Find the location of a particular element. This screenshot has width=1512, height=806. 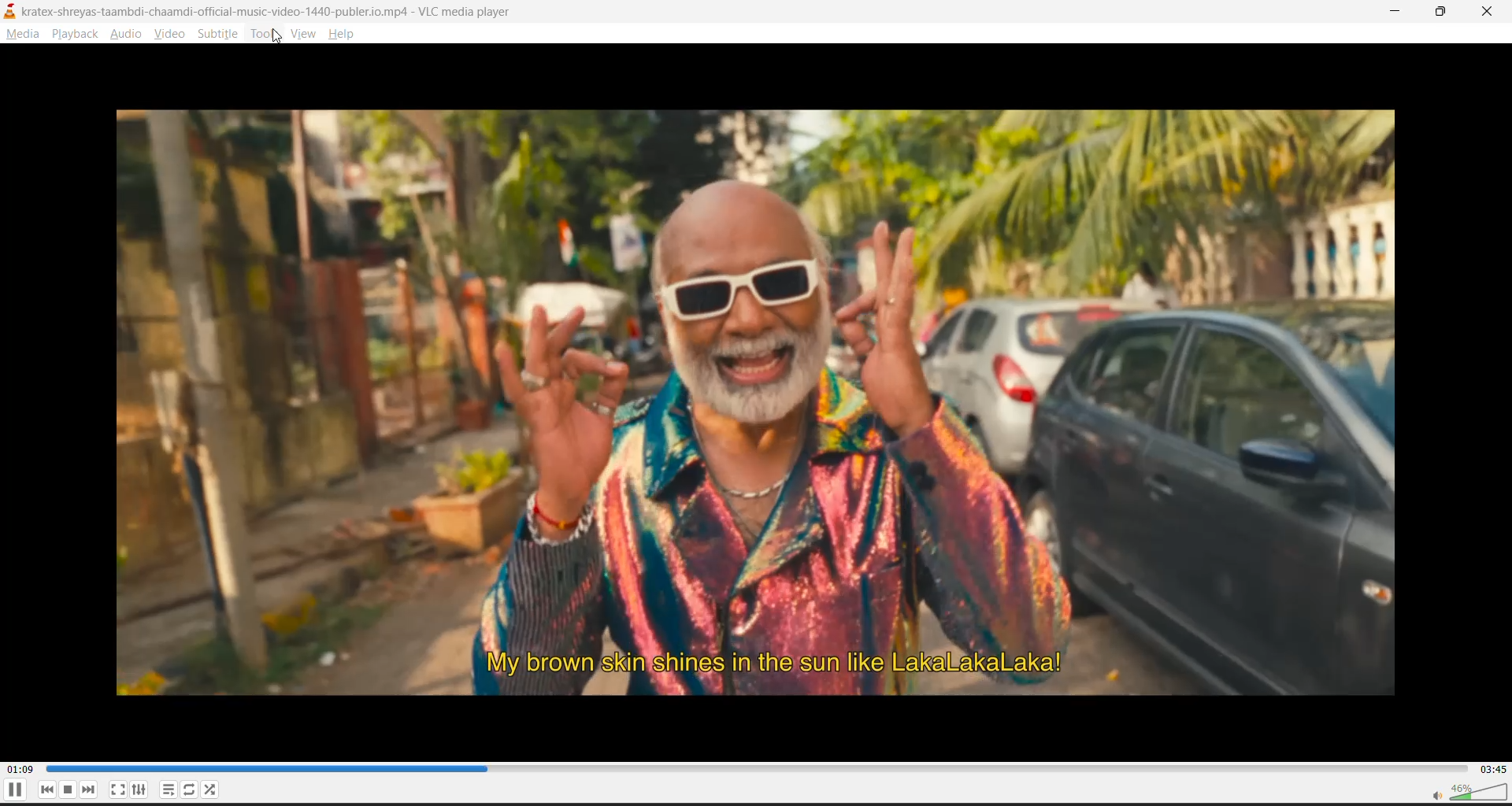

loop is located at coordinates (190, 789).